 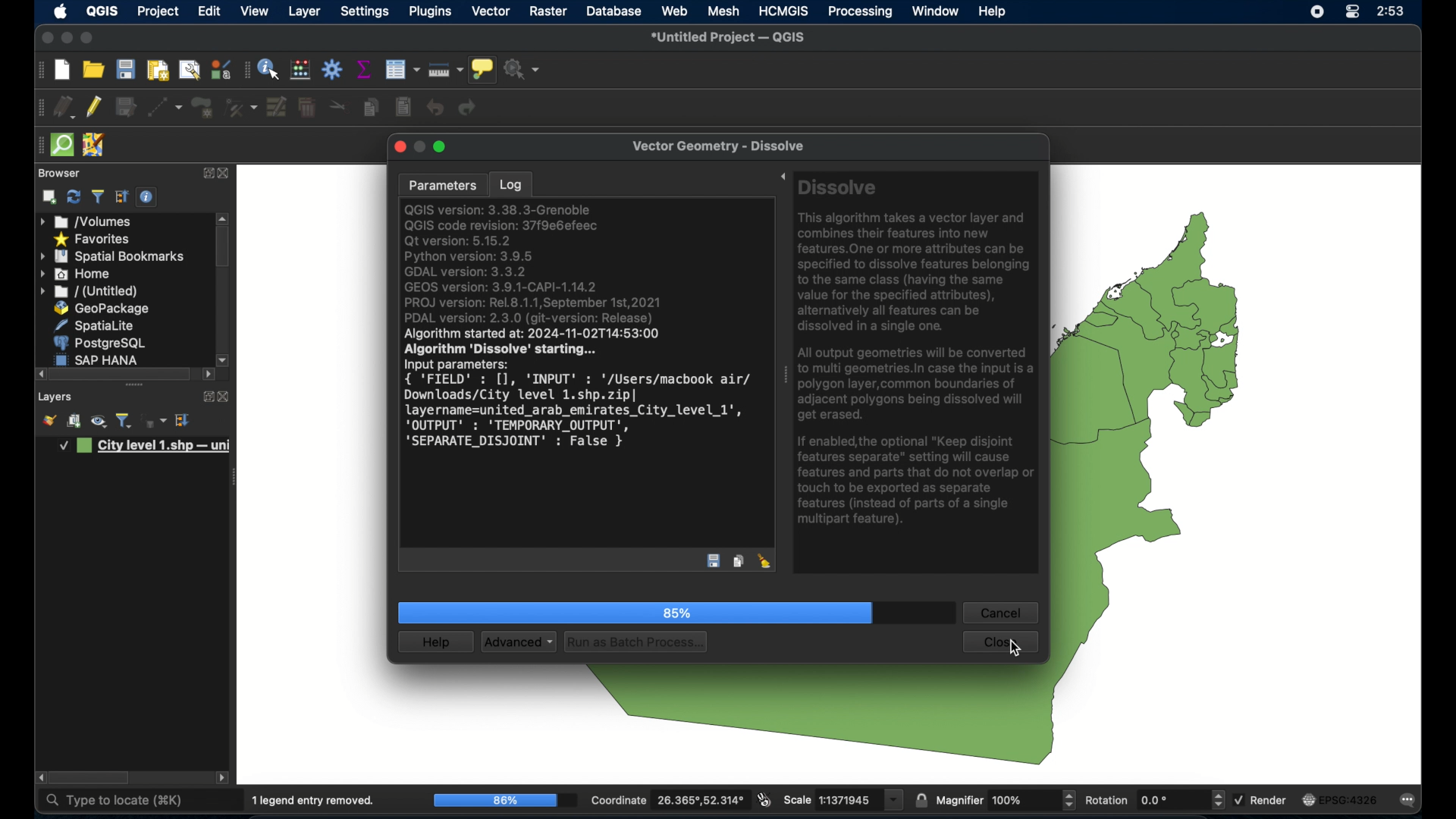 I want to click on scale, so click(x=843, y=800).